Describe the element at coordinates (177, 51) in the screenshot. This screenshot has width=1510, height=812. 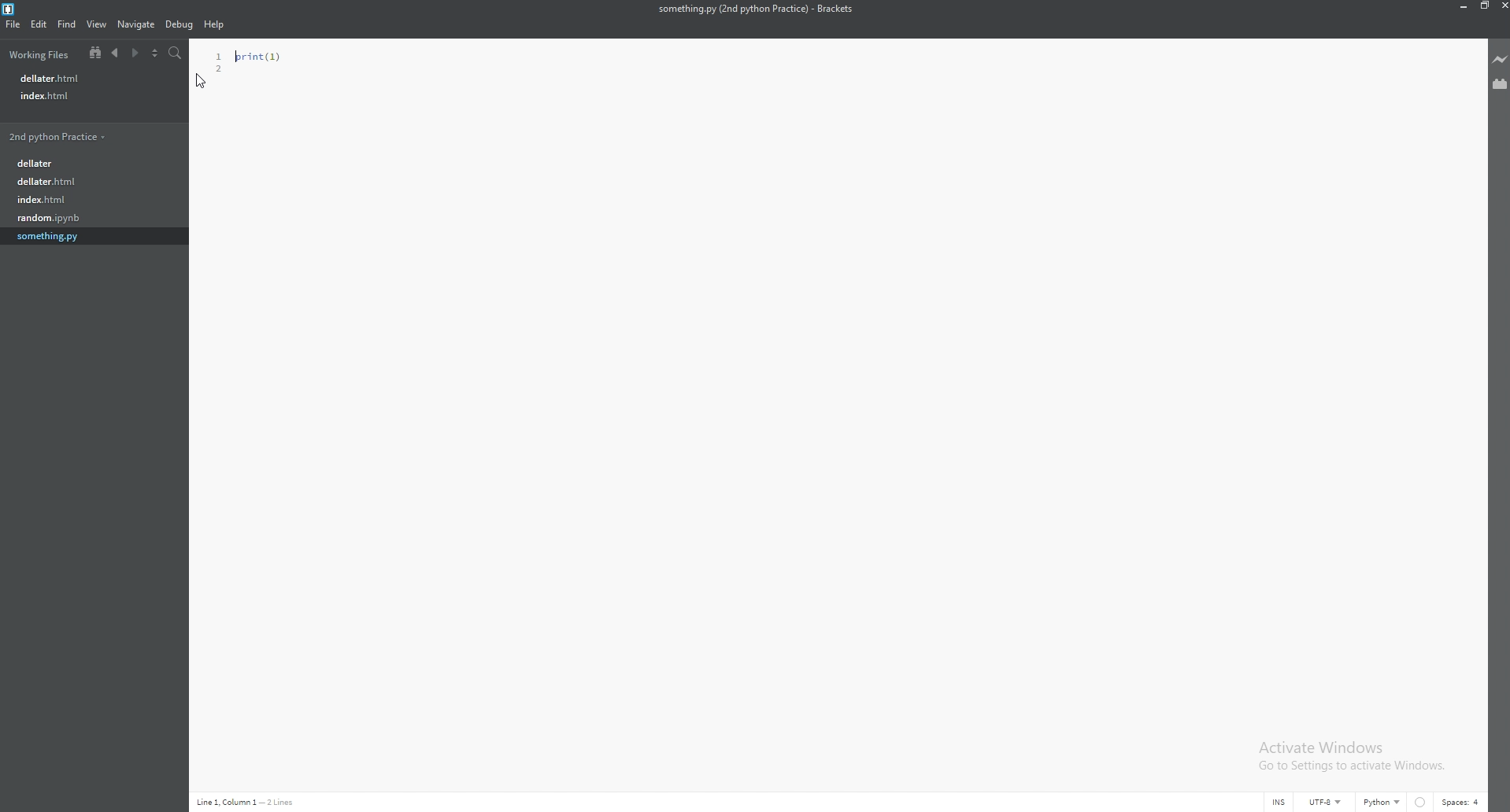
I see `Search` at that location.